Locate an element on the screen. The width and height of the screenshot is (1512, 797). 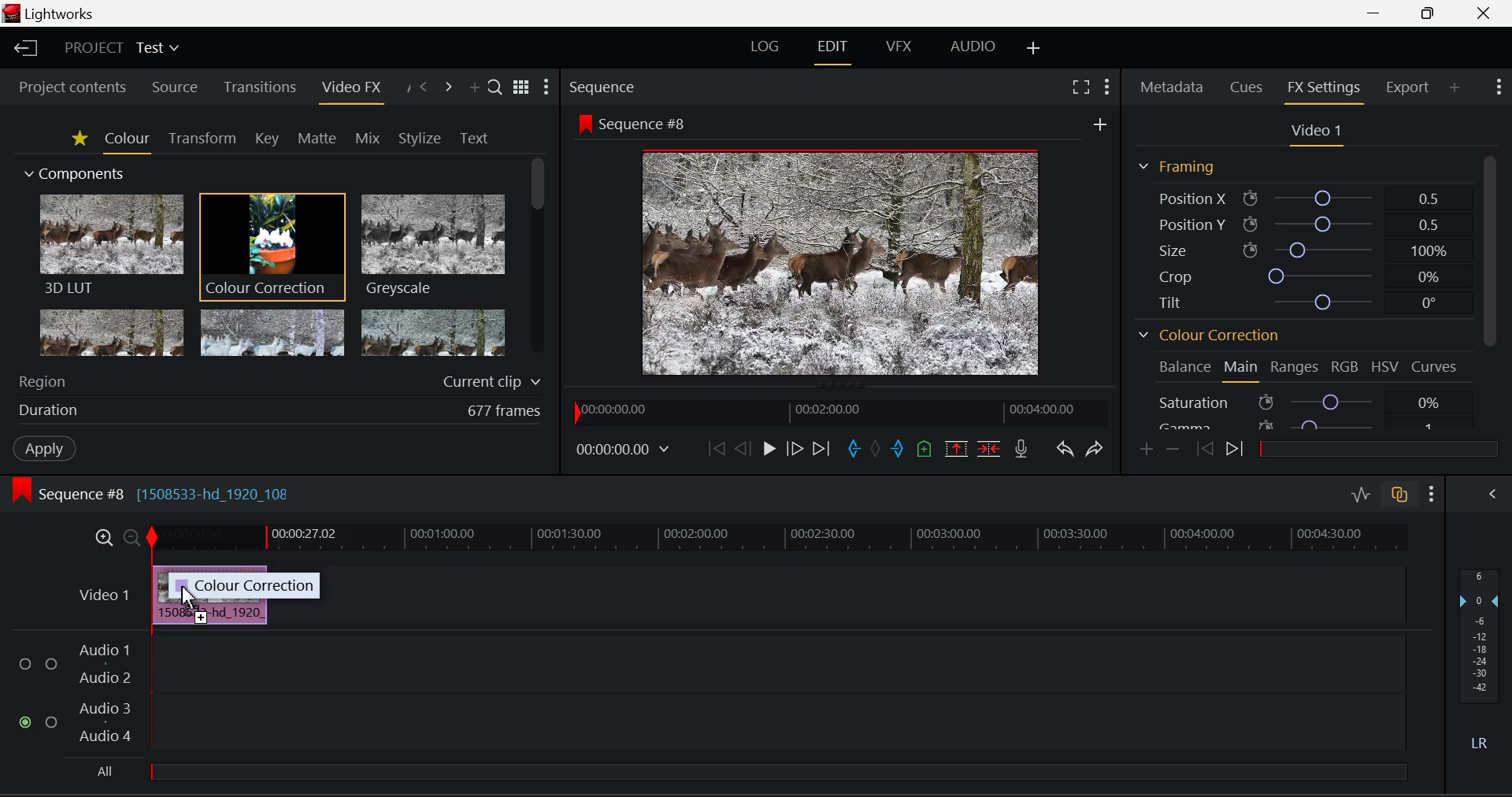
Video Layer is located at coordinates (105, 595).